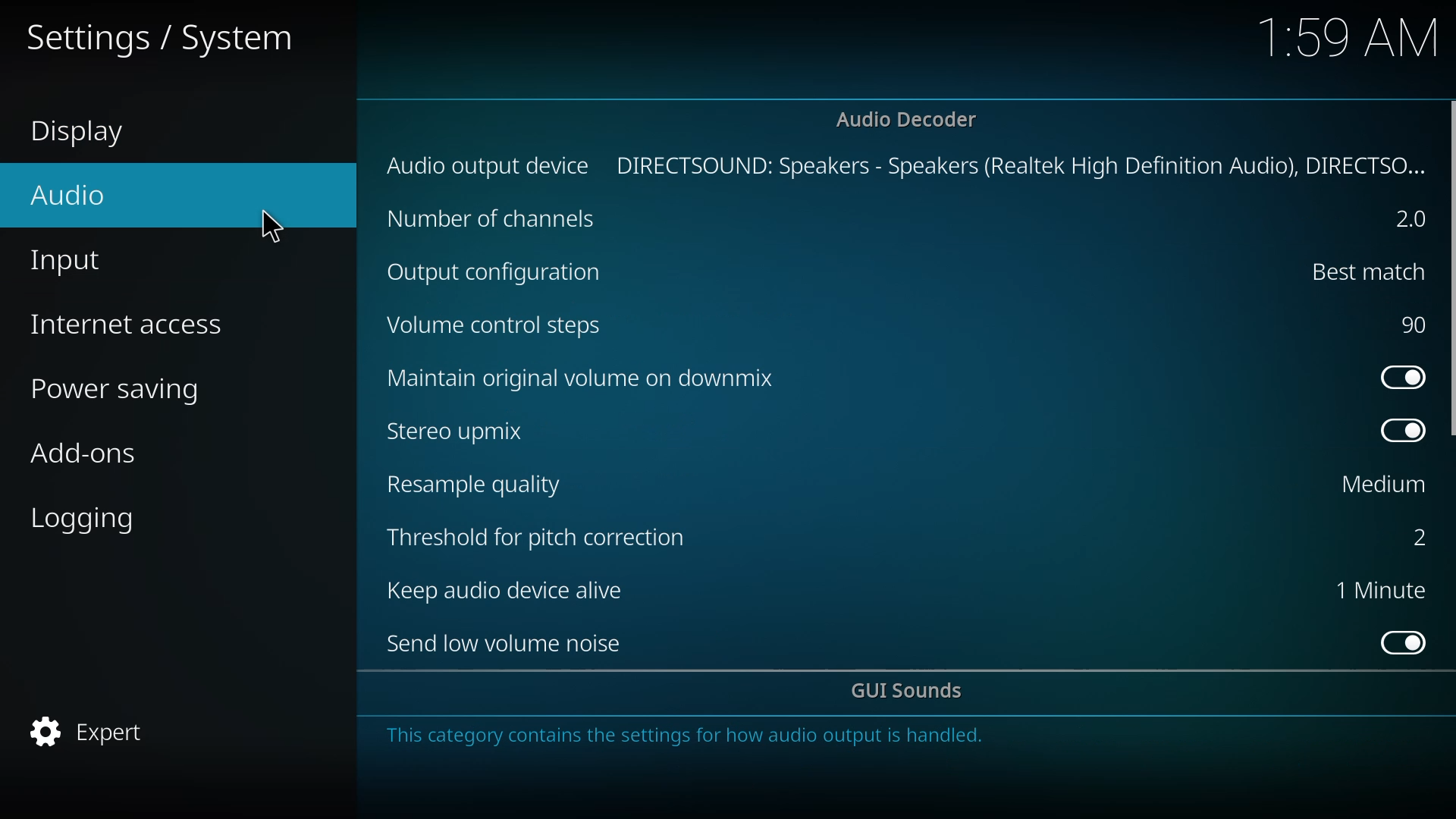 Image resolution: width=1456 pixels, height=819 pixels. I want to click on settings system, so click(171, 36).